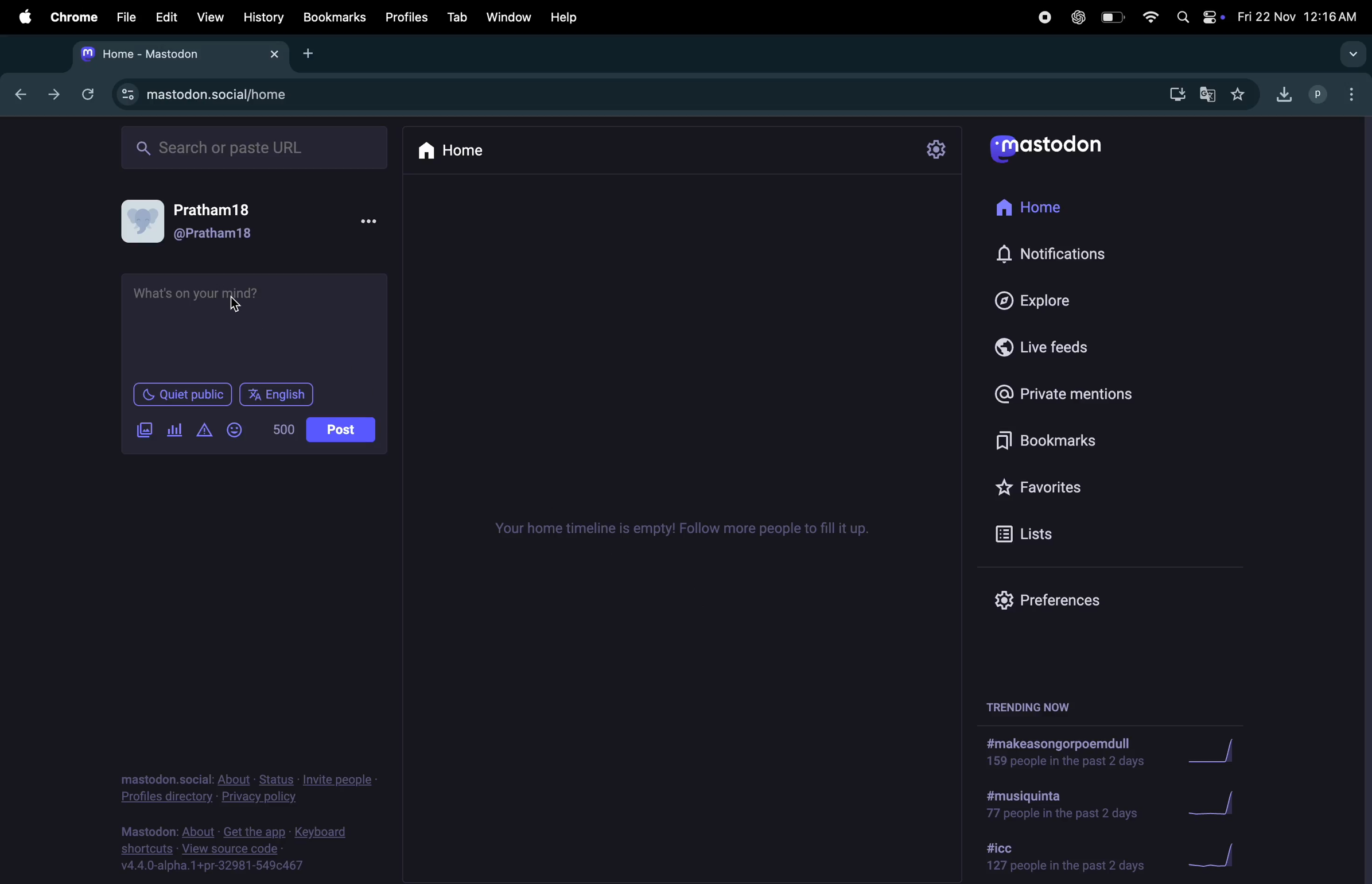 The height and width of the screenshot is (884, 1372). I want to click on live feed, so click(1037, 347).